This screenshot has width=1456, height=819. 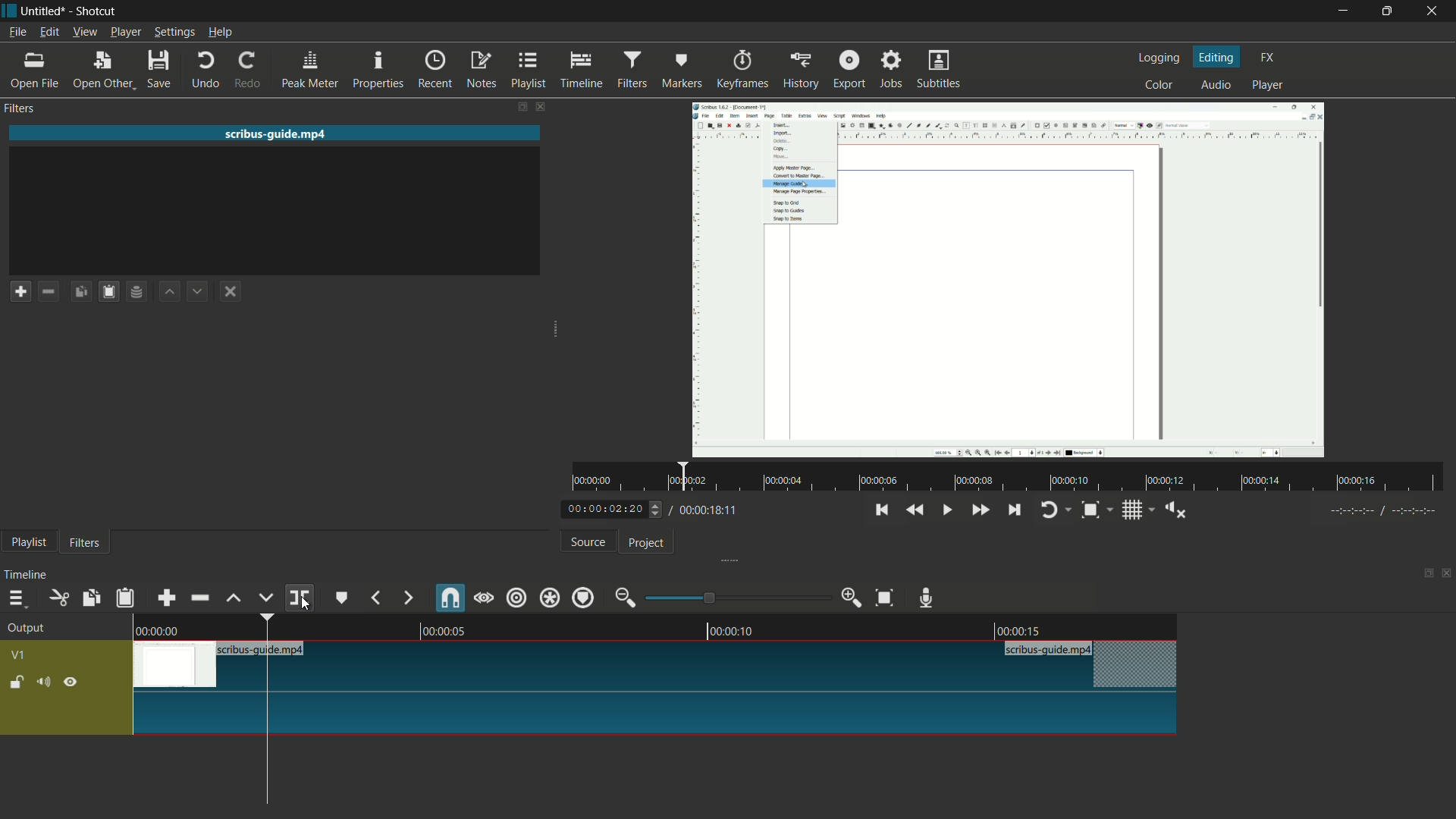 I want to click on export, so click(x=849, y=71).